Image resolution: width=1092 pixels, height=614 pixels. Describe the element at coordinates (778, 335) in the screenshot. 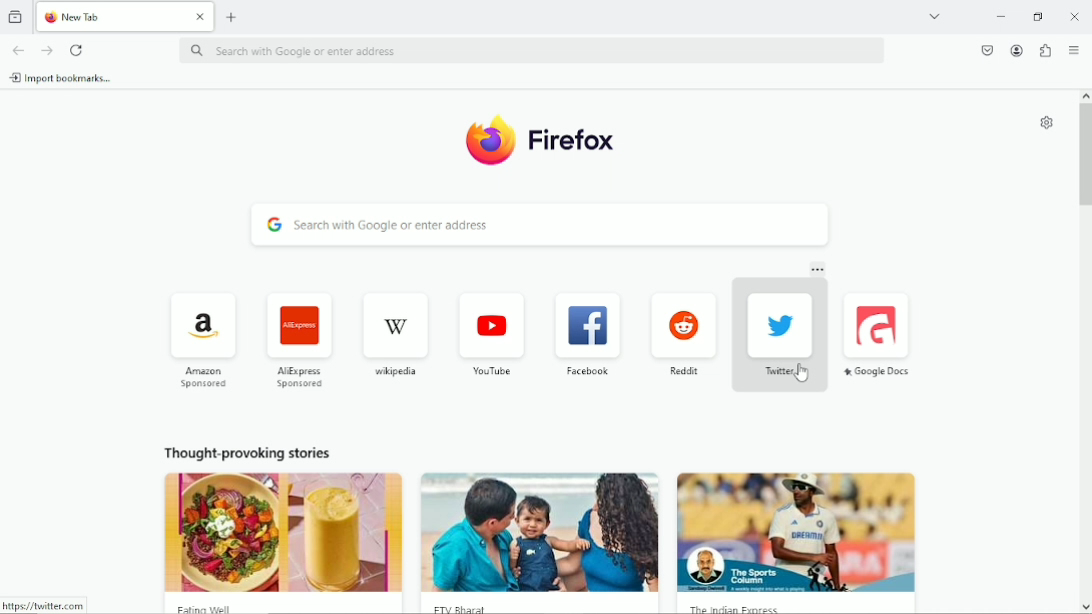

I see `twitter` at that location.